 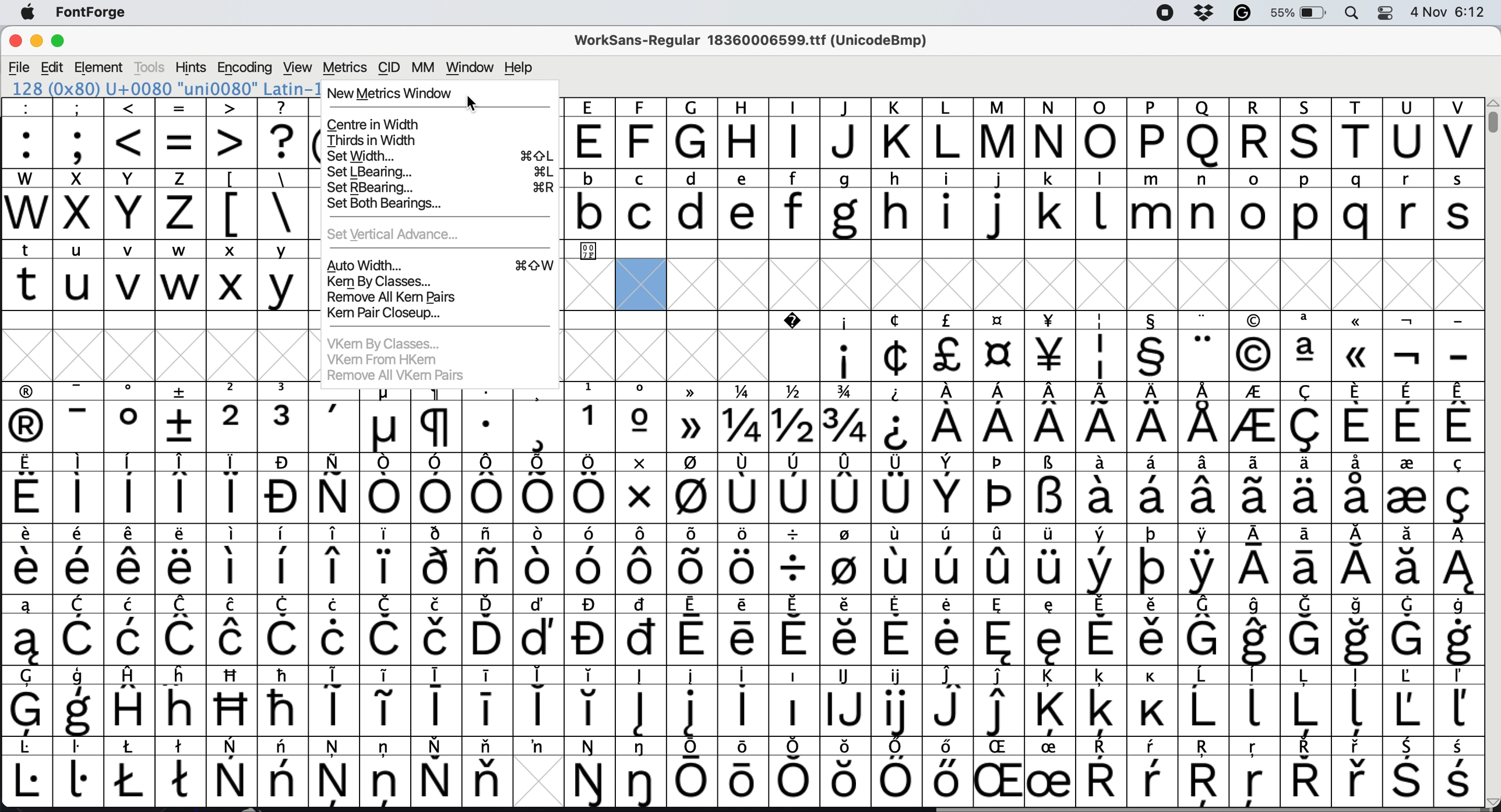 I want to click on screen recorder, so click(x=1165, y=15).